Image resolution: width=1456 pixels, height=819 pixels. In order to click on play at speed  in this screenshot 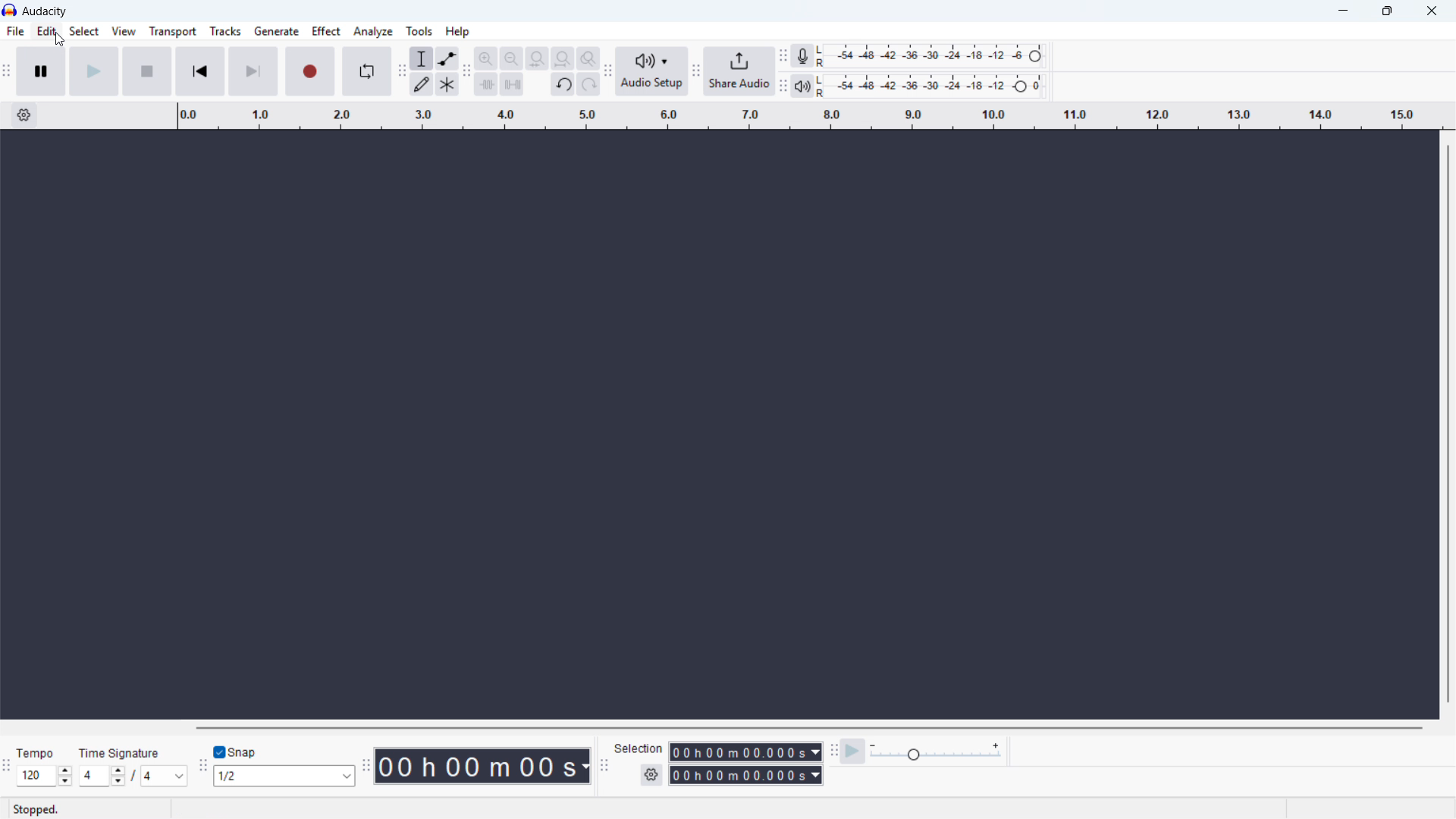, I will do `click(852, 752)`.